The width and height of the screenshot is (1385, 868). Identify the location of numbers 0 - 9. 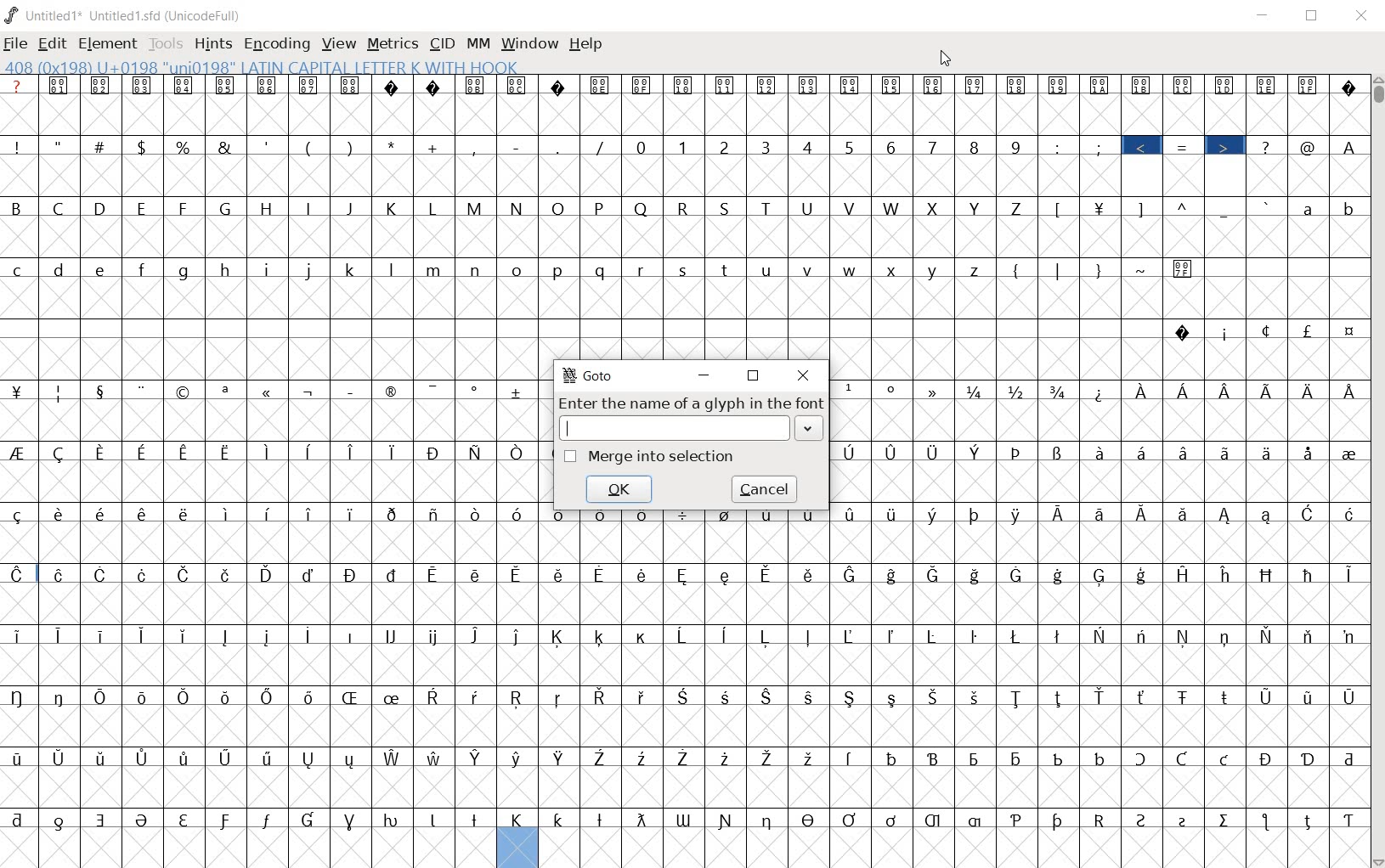
(828, 146).